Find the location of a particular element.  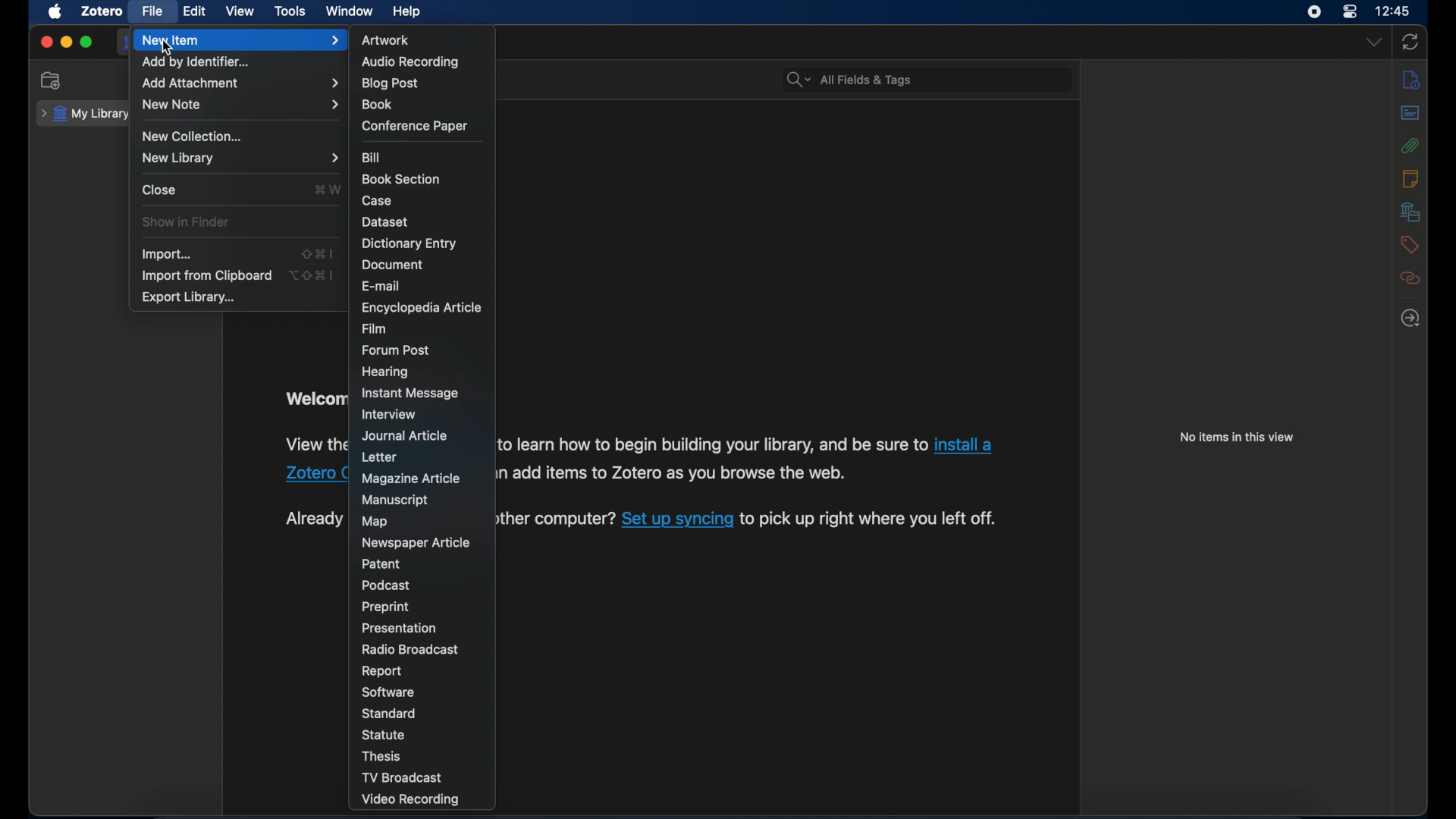

tv broadcast is located at coordinates (402, 777).